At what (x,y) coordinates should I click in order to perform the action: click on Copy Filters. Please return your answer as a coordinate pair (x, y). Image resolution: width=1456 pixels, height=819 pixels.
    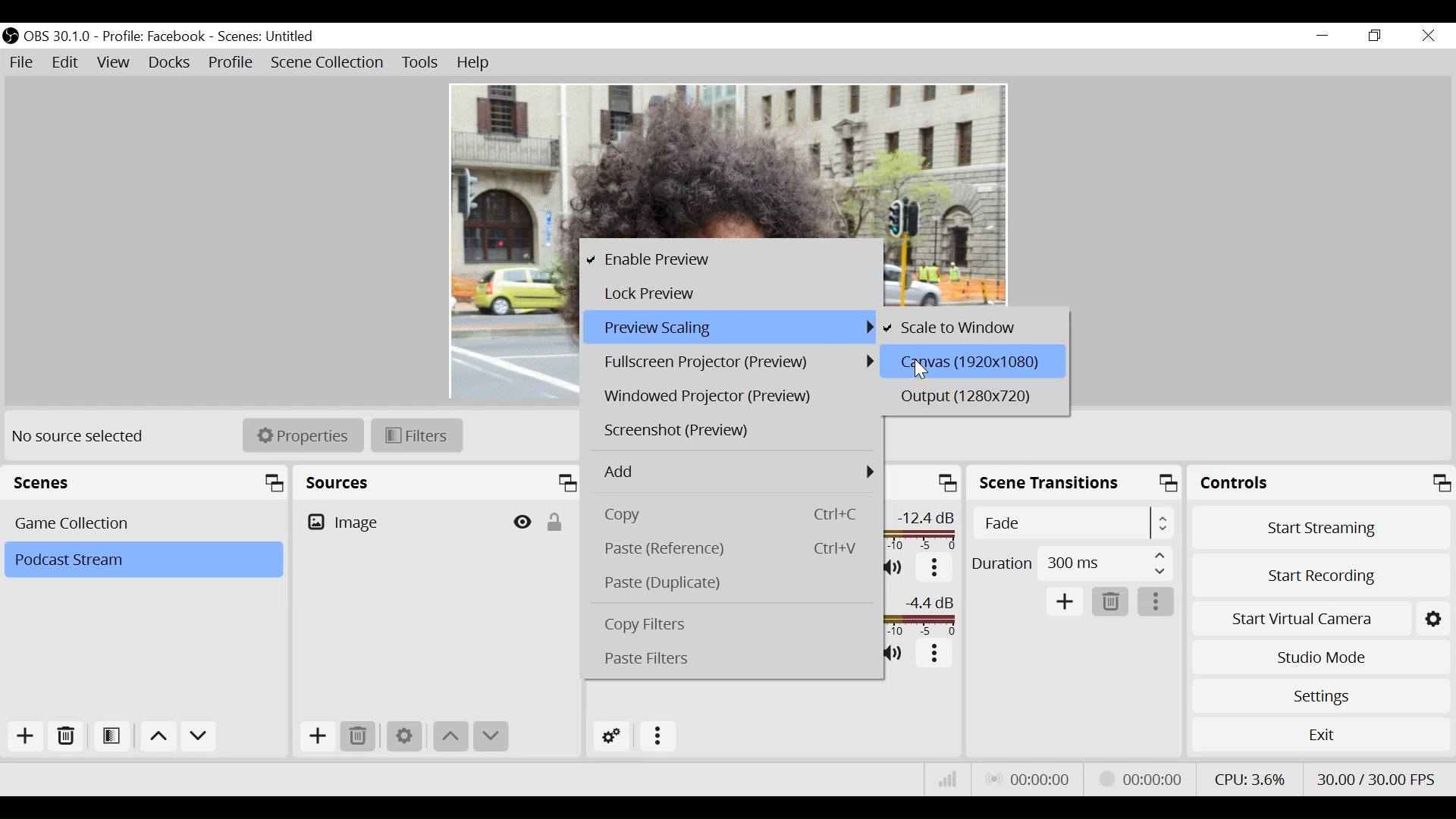
    Looking at the image, I should click on (735, 623).